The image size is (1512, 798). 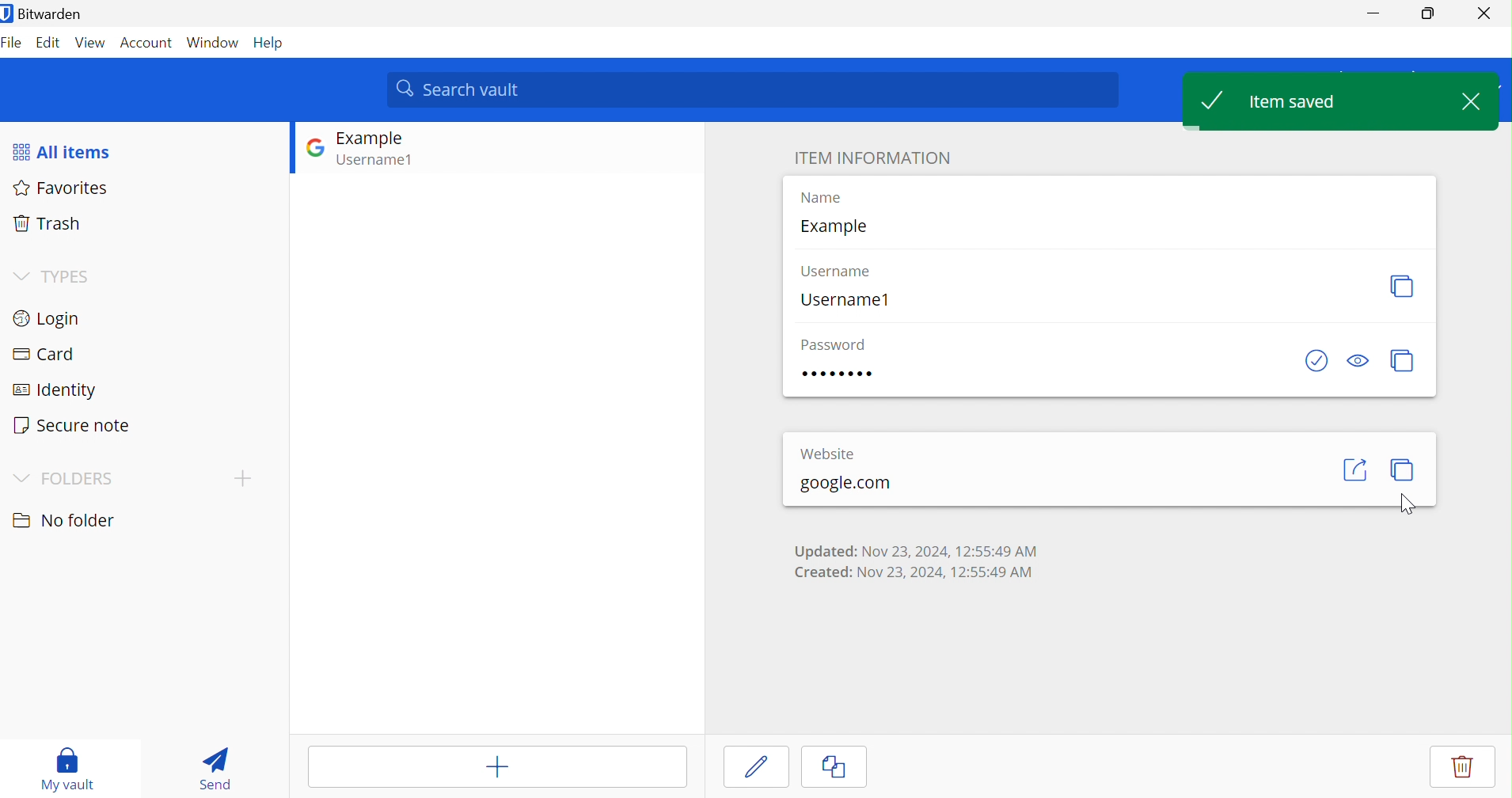 What do you see at coordinates (51, 223) in the screenshot?
I see `` at bounding box center [51, 223].